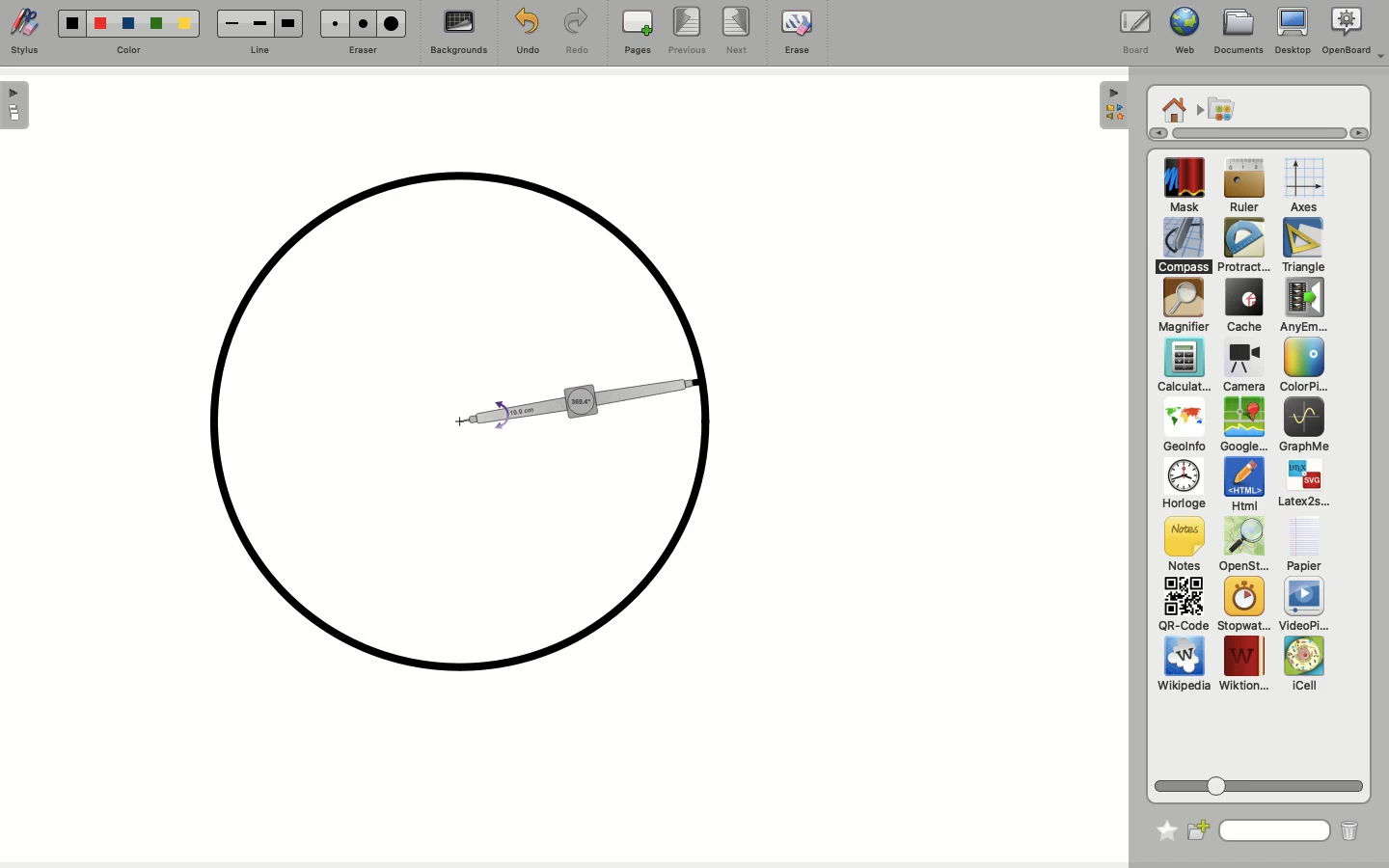  Describe the element at coordinates (1293, 35) in the screenshot. I see `Desktop` at that location.